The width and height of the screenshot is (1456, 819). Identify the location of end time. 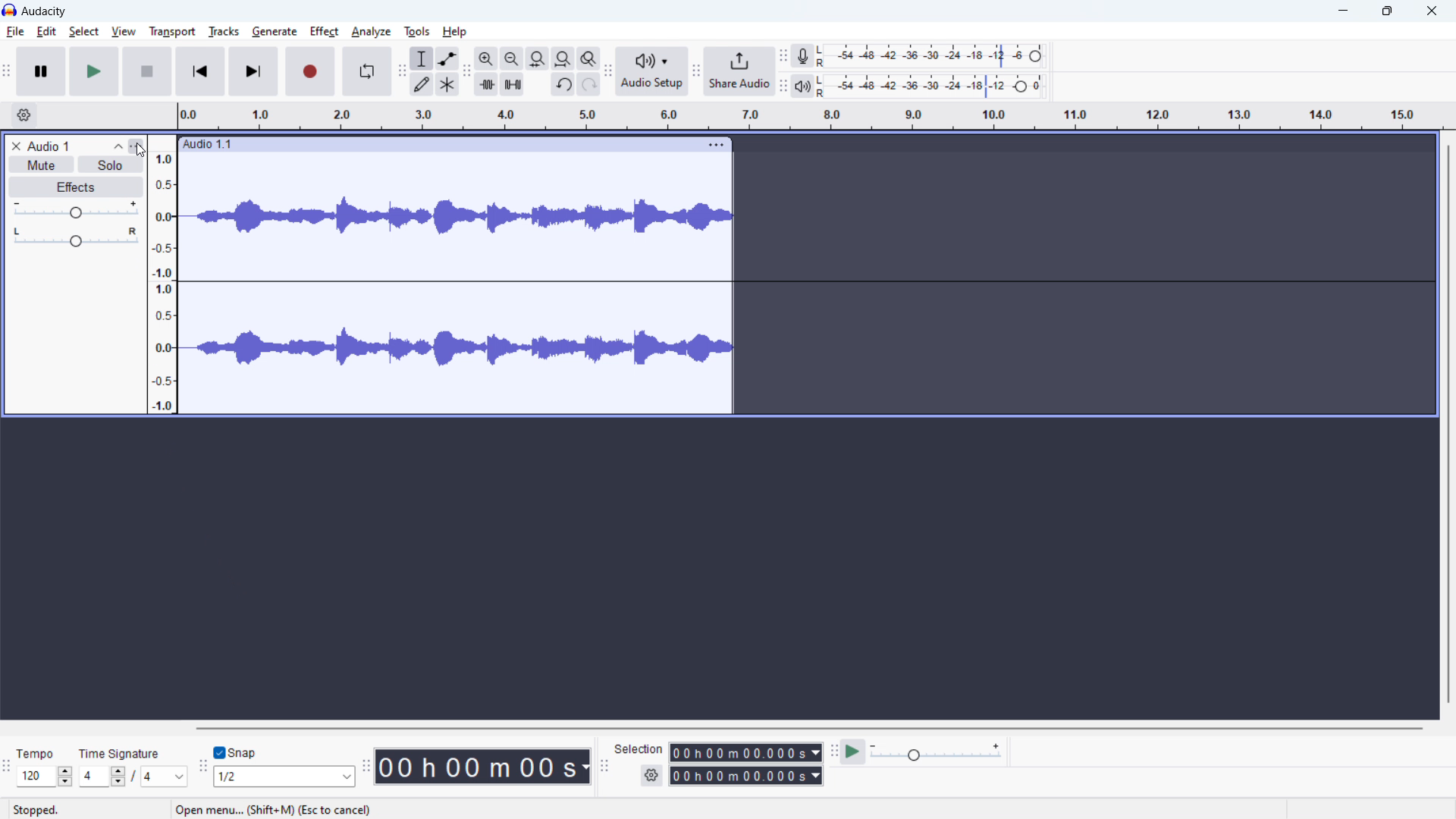
(746, 777).